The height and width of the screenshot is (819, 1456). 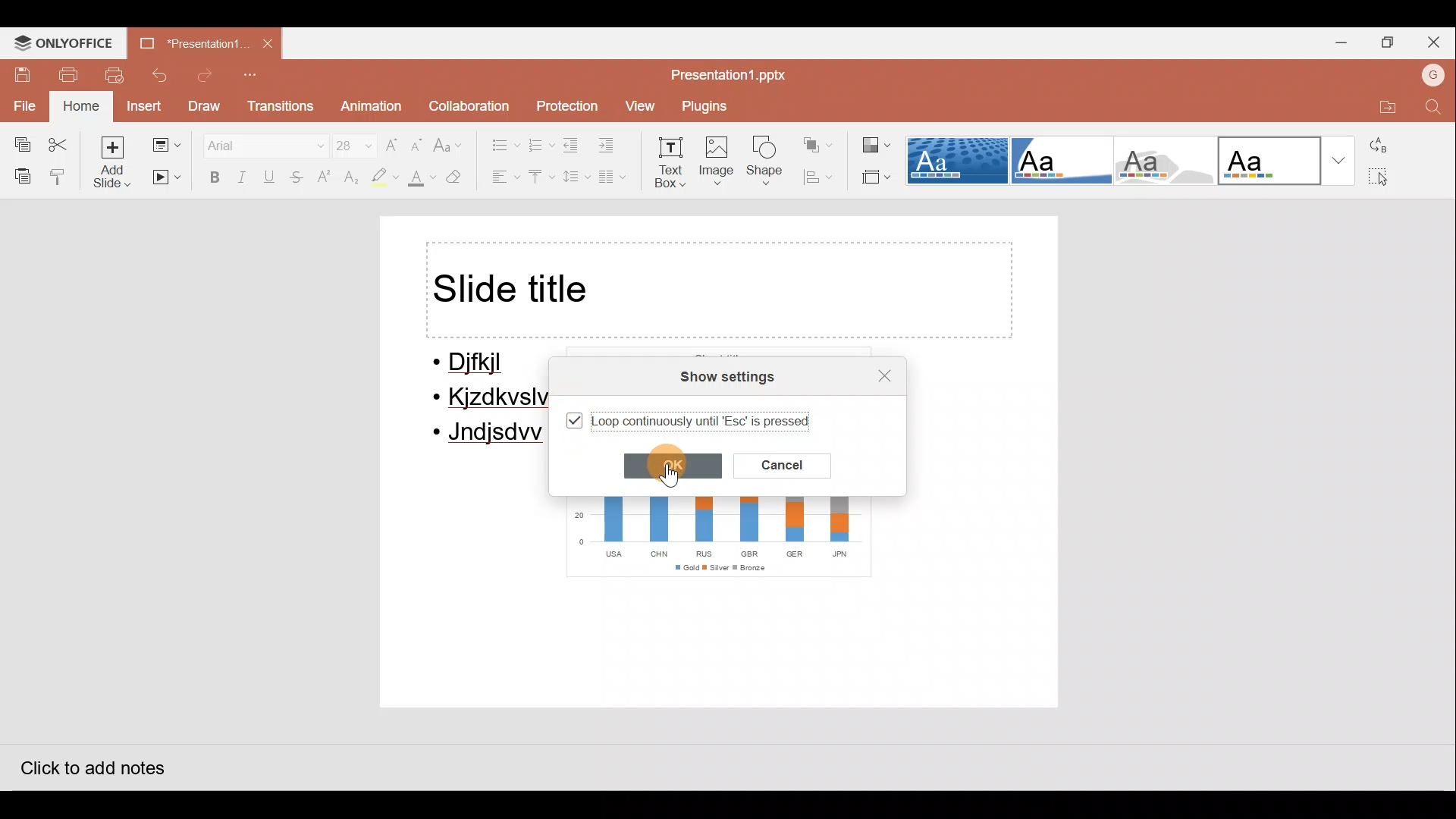 I want to click on Line spacing, so click(x=573, y=177).